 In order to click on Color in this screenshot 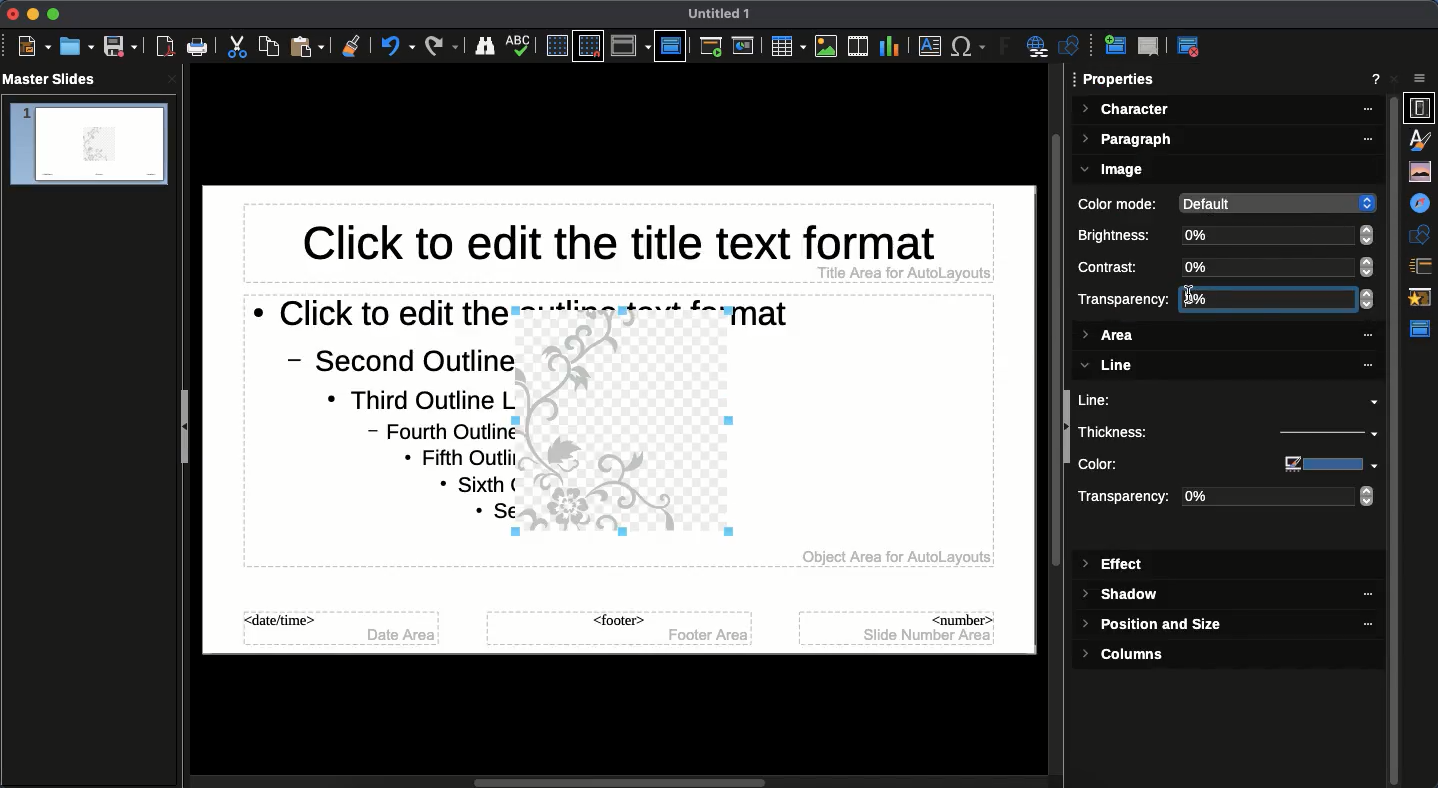, I will do `click(1157, 465)`.